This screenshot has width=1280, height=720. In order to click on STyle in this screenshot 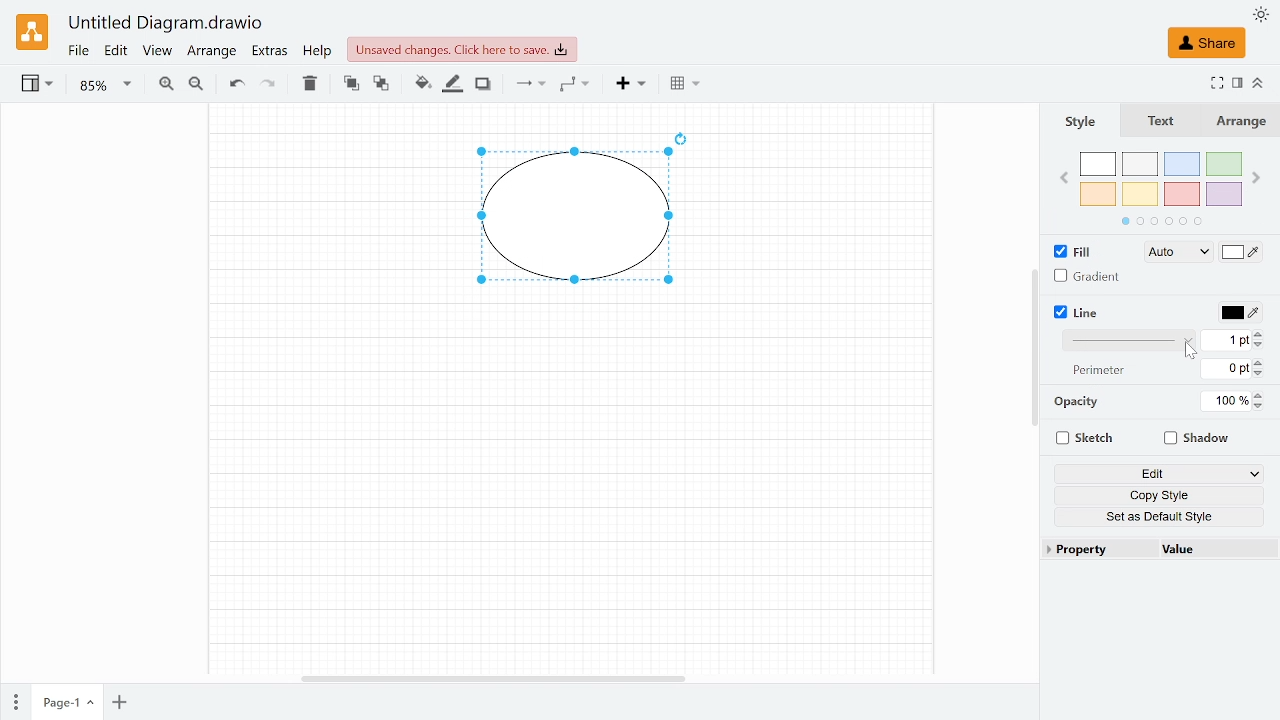, I will do `click(1091, 121)`.